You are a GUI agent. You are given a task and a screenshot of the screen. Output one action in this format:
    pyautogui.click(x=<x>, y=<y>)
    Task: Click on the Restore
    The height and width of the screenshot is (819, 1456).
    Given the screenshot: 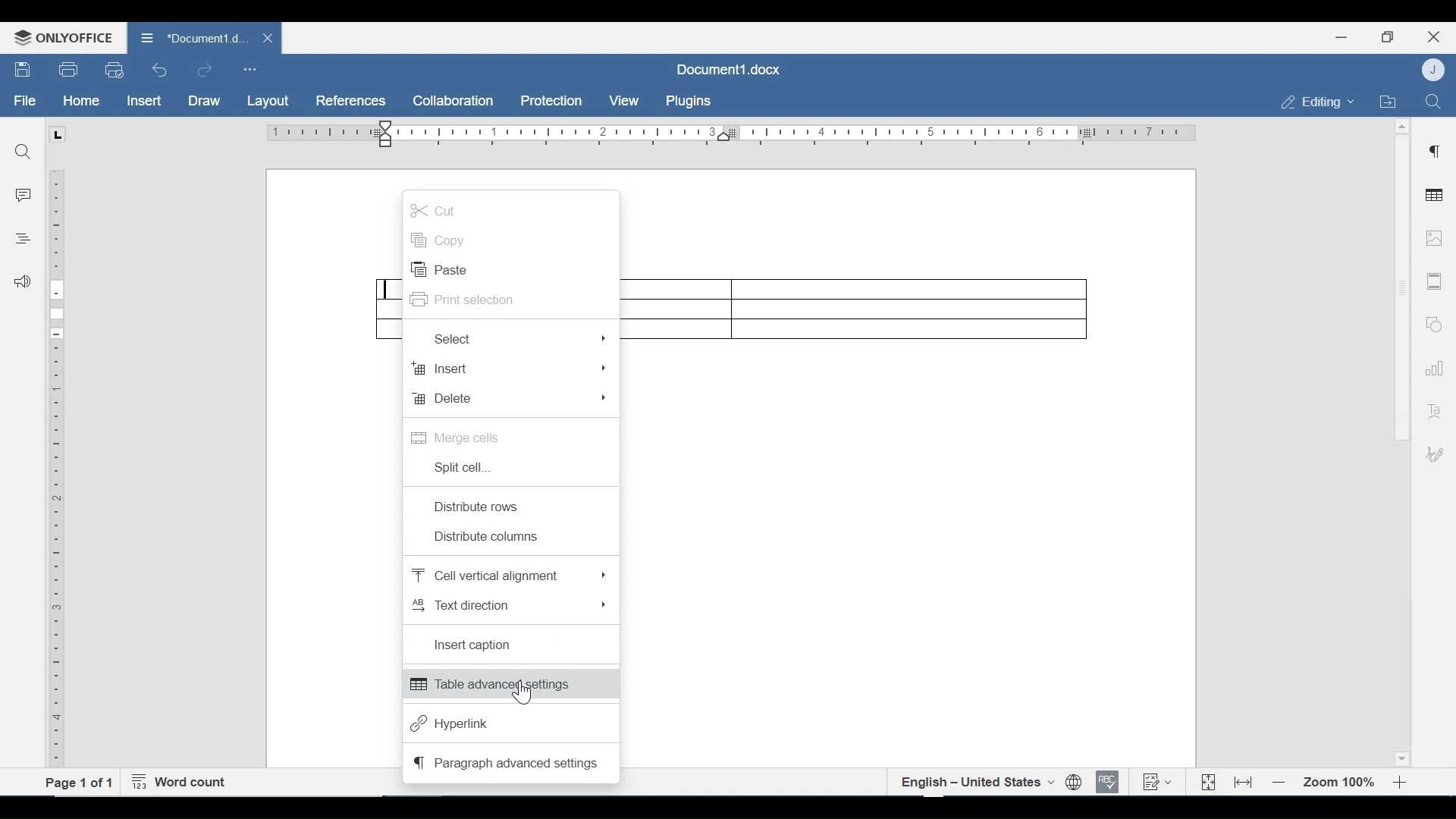 What is the action you would take?
    pyautogui.click(x=1387, y=37)
    